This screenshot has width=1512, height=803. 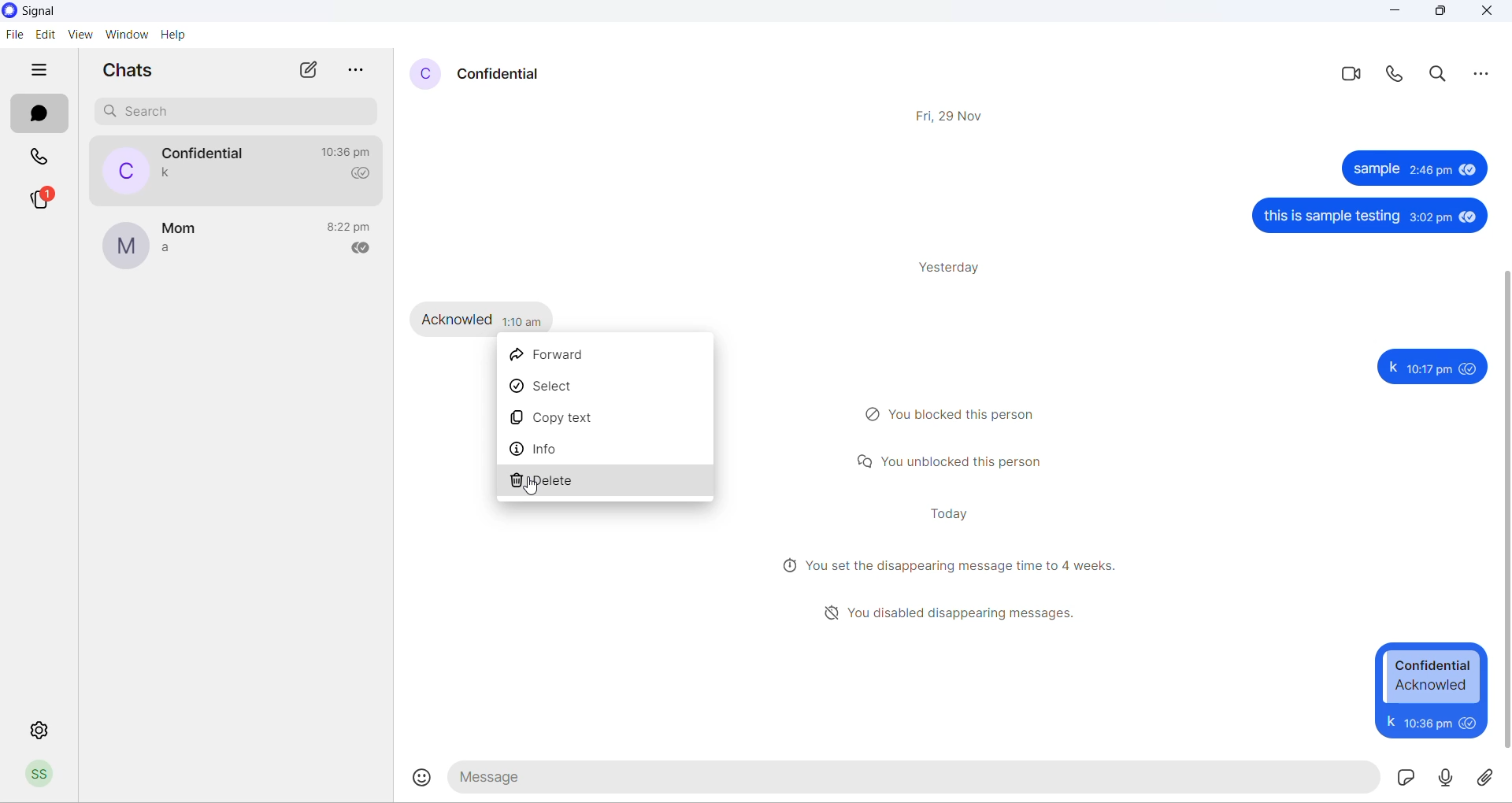 I want to click on chats, so click(x=41, y=115).